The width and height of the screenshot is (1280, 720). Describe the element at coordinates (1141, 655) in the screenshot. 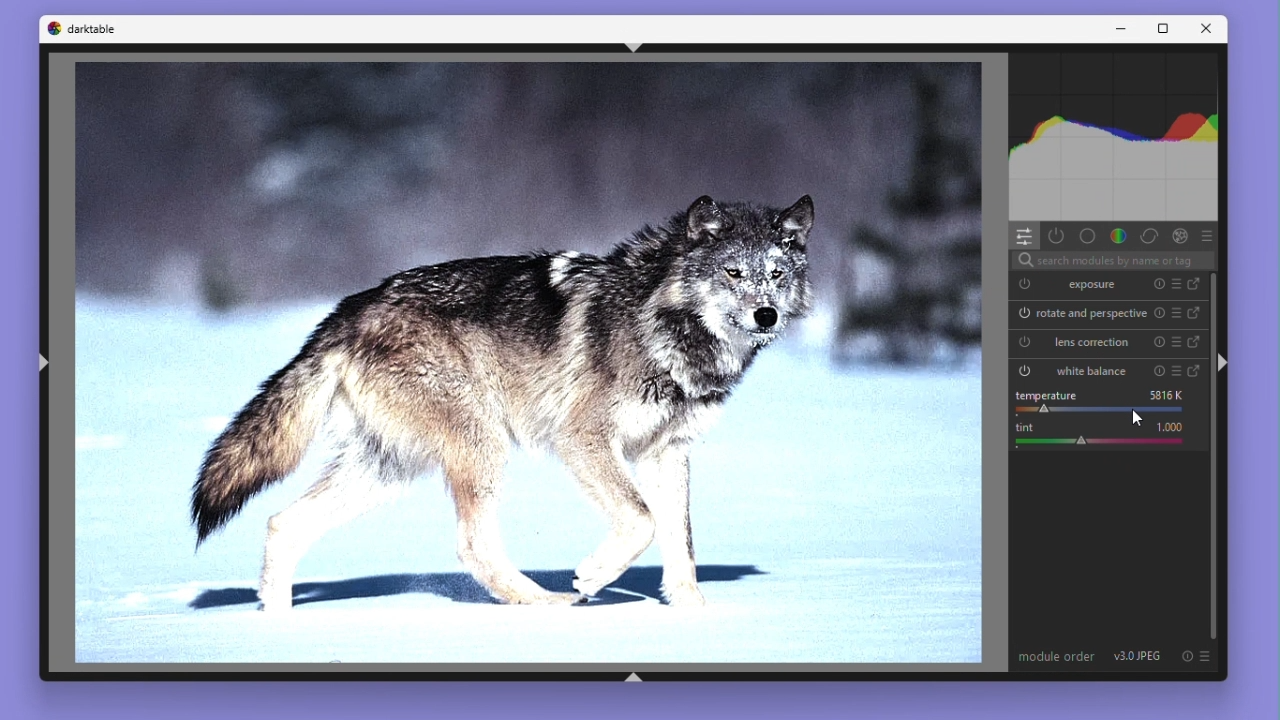

I see `Version 3.0 JPEG` at that location.